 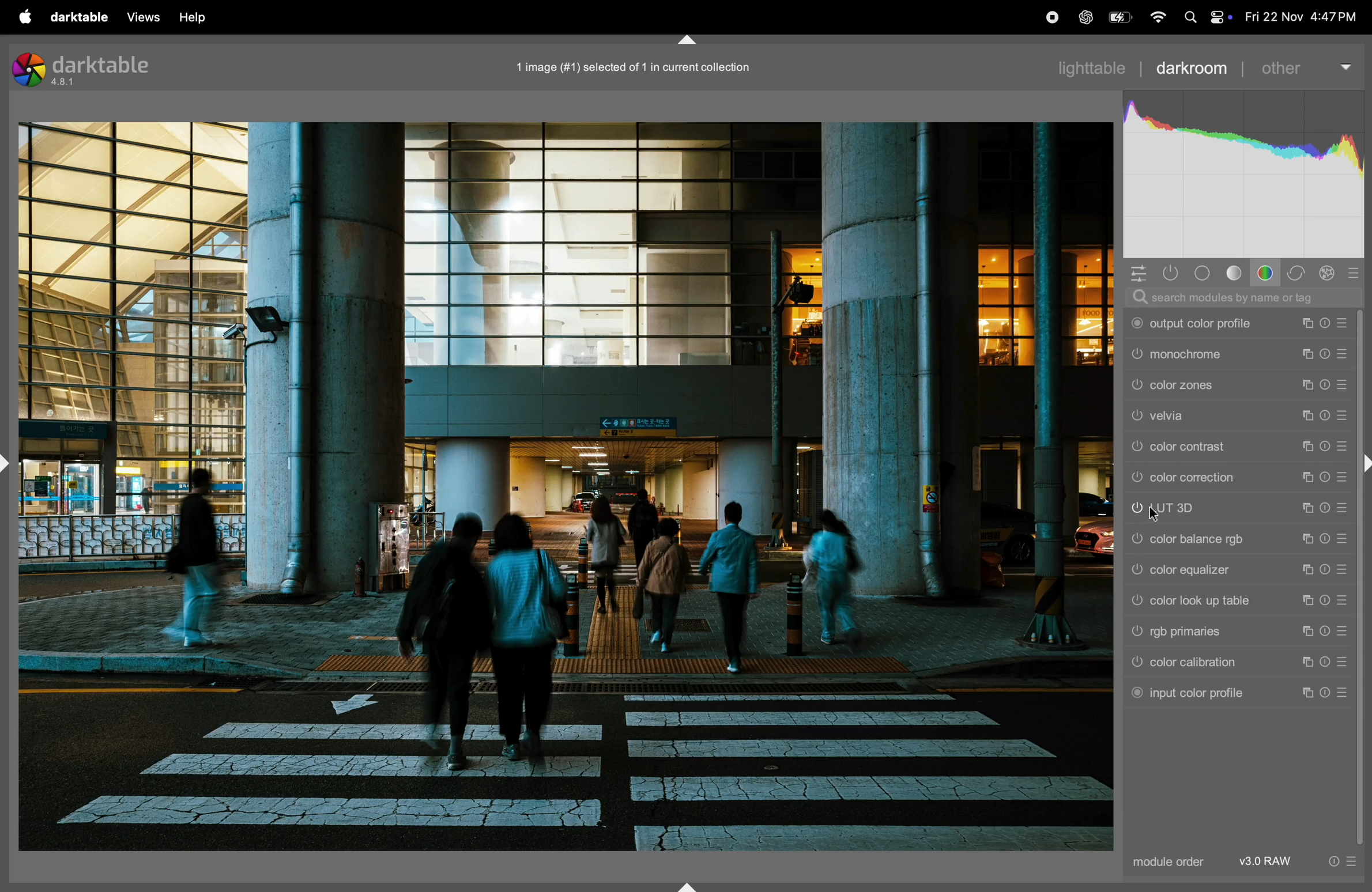 What do you see at coordinates (1345, 447) in the screenshot?
I see `presets` at bounding box center [1345, 447].